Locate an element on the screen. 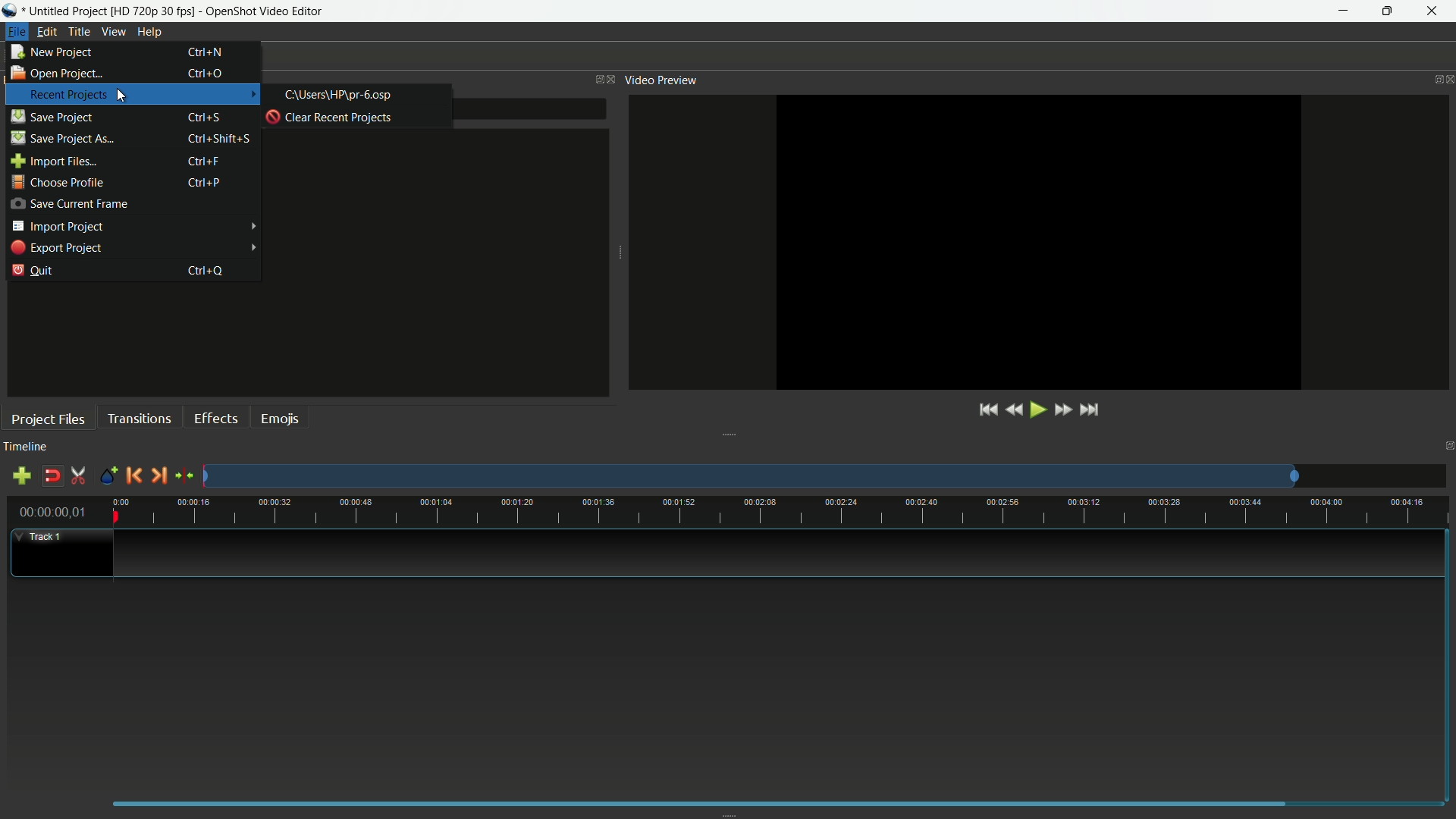  track preview is located at coordinates (748, 477).